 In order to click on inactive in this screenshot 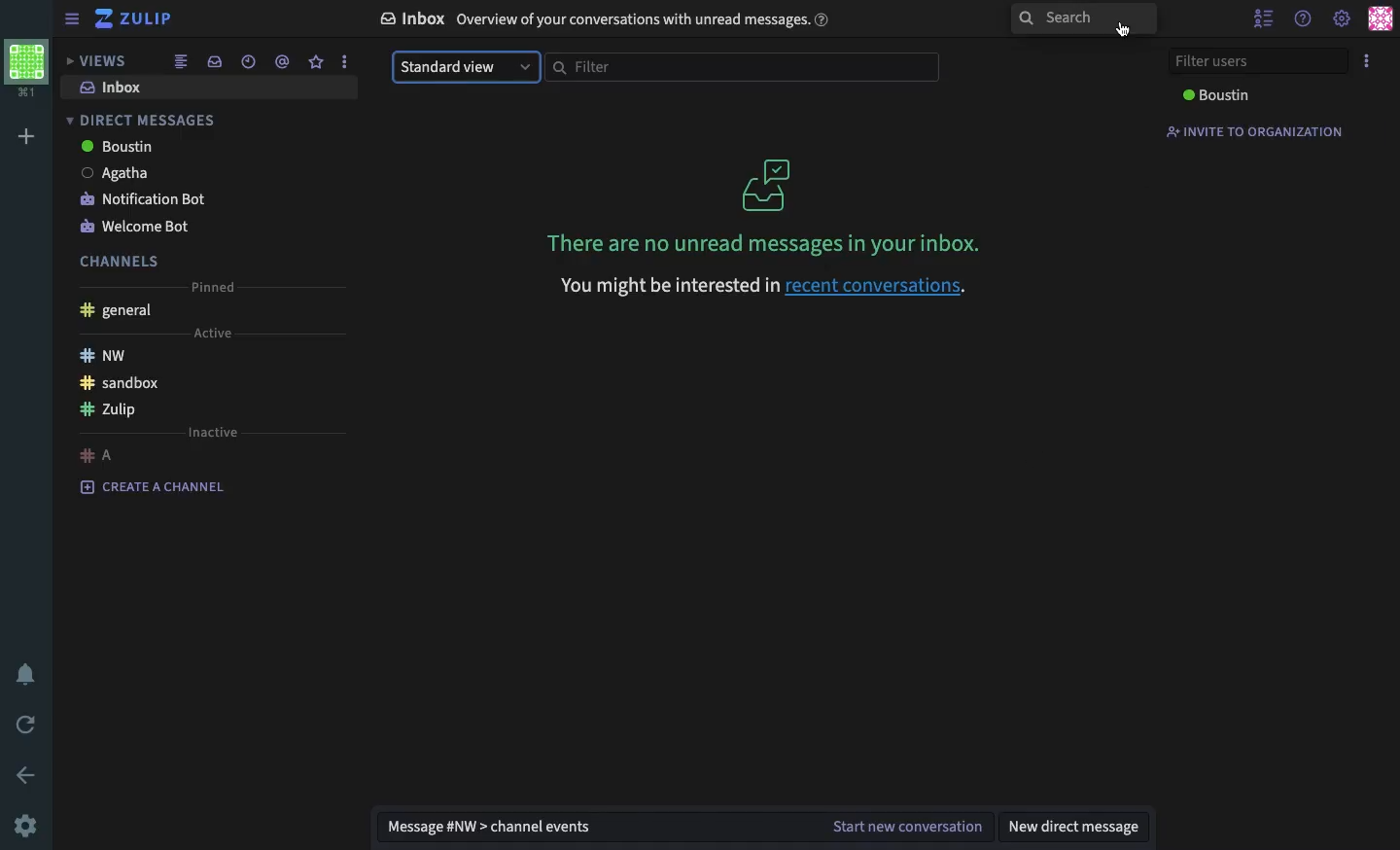, I will do `click(214, 431)`.